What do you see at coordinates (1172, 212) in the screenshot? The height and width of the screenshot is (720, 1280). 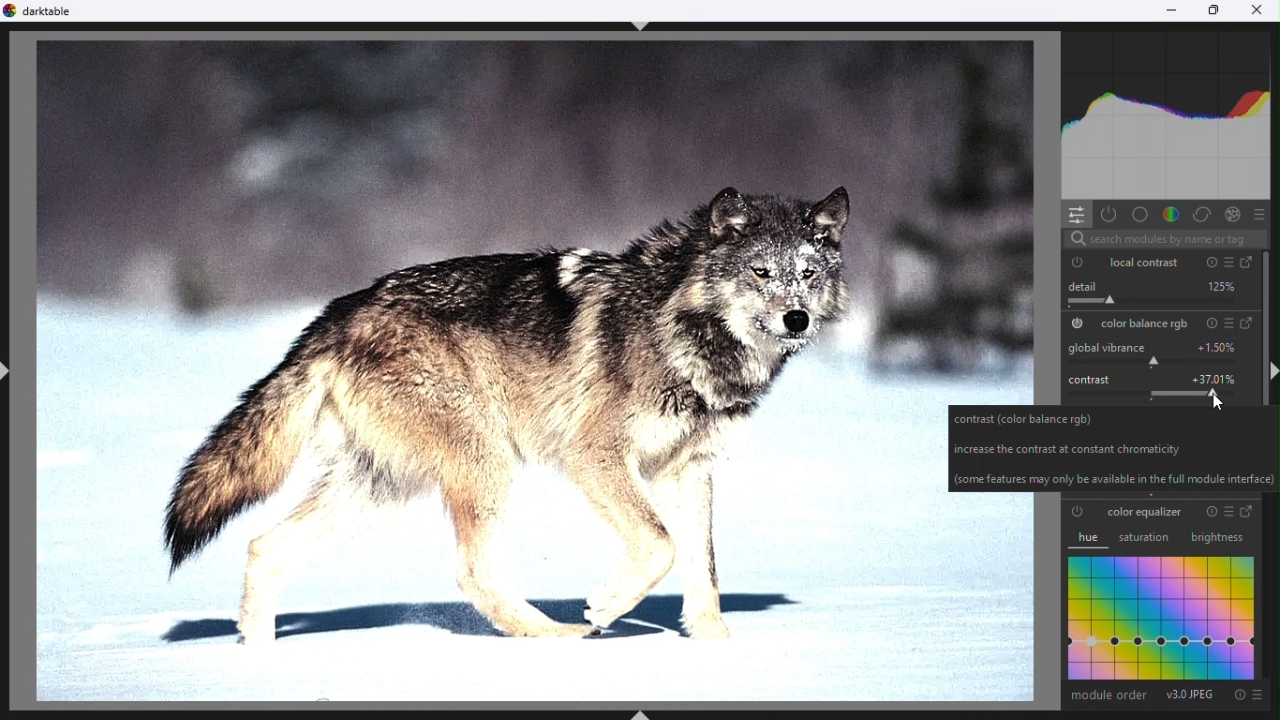 I see `color` at bounding box center [1172, 212].